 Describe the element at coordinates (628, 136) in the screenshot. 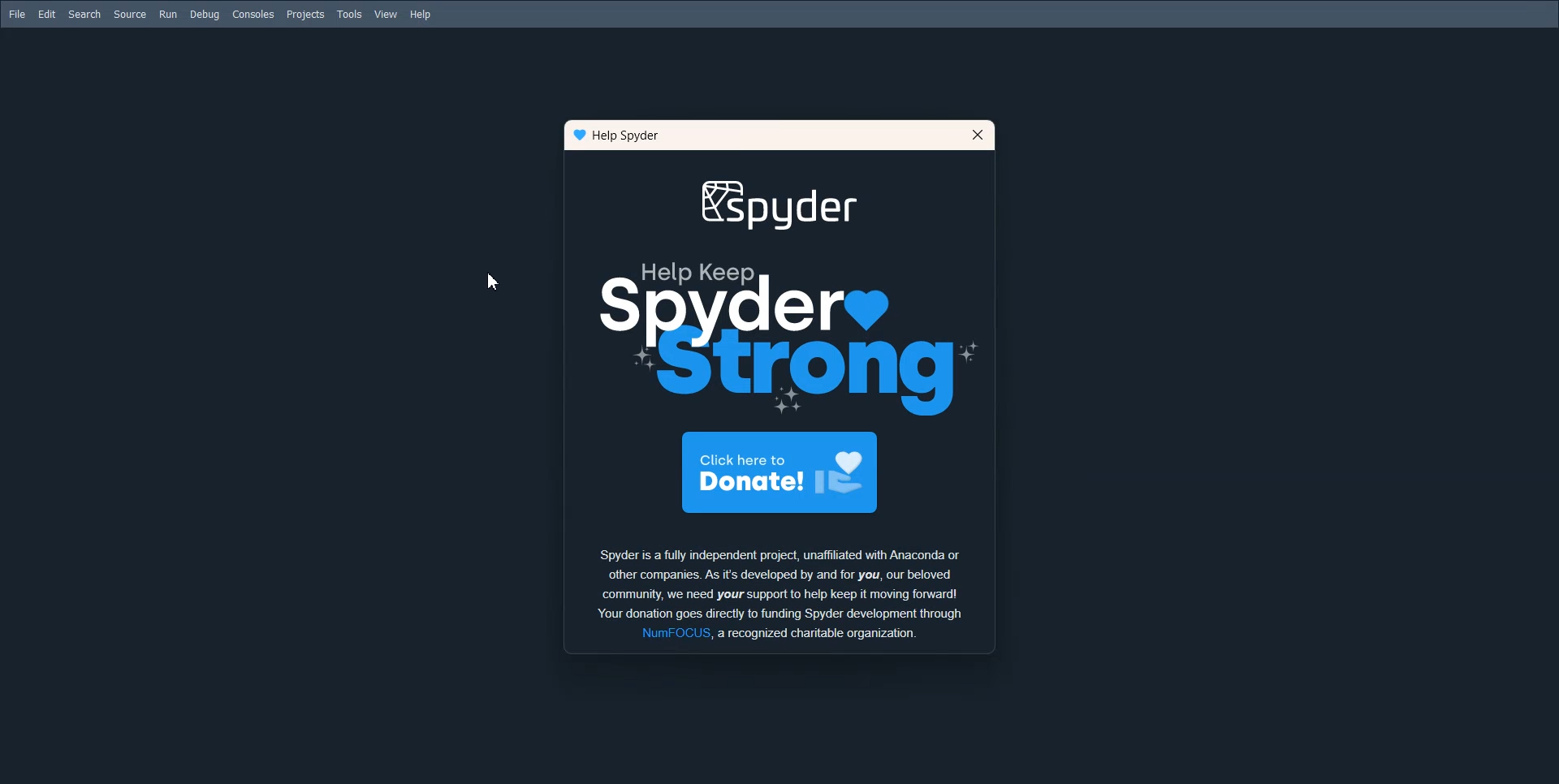

I see `Help Spyder` at that location.